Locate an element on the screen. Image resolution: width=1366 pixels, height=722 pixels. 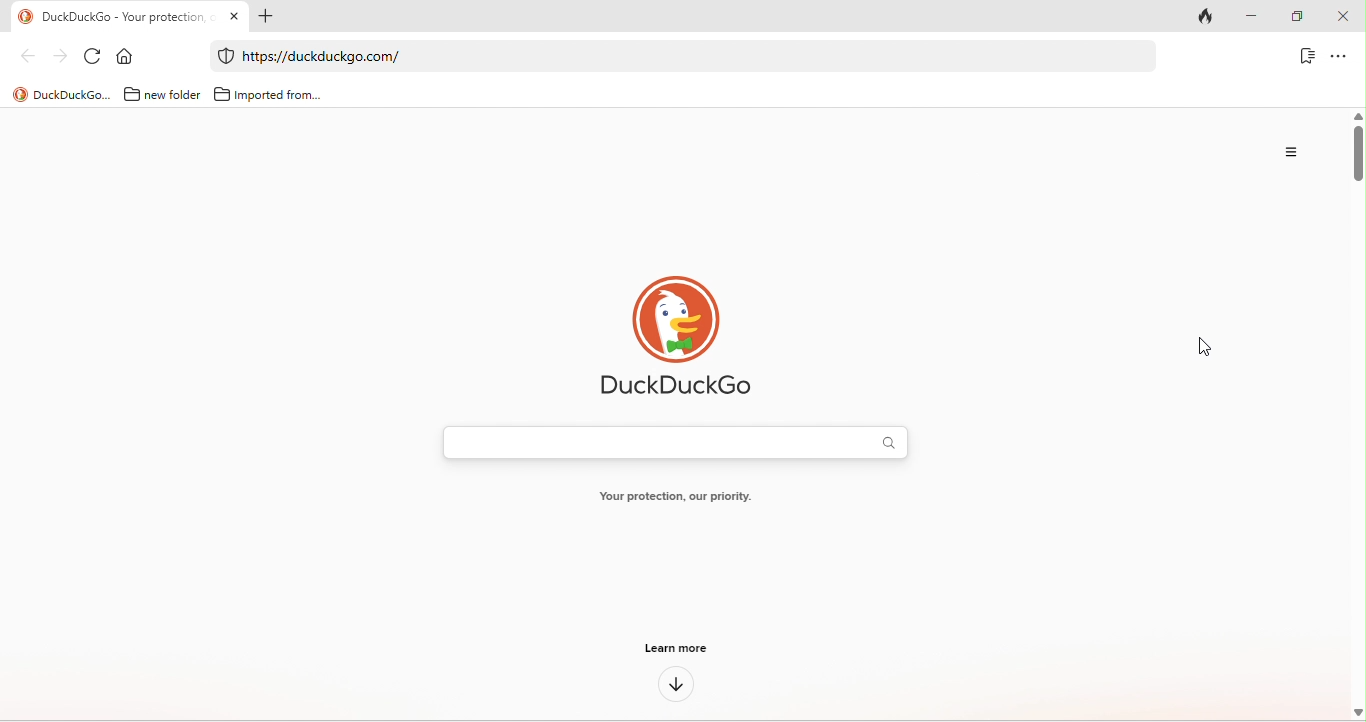
down arrow is located at coordinates (675, 687).